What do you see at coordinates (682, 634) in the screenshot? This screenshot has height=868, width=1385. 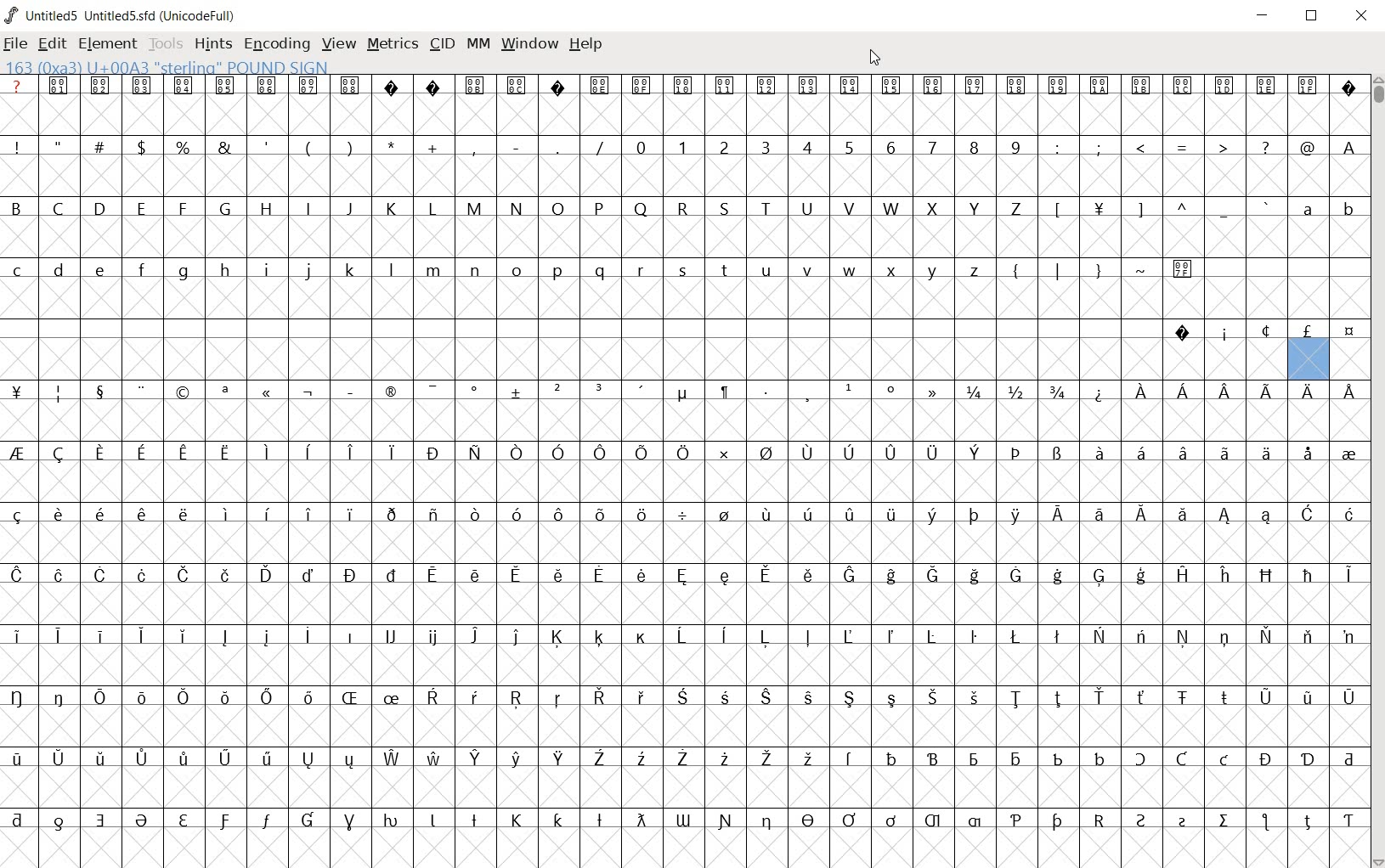 I see `Symbol` at bounding box center [682, 634].